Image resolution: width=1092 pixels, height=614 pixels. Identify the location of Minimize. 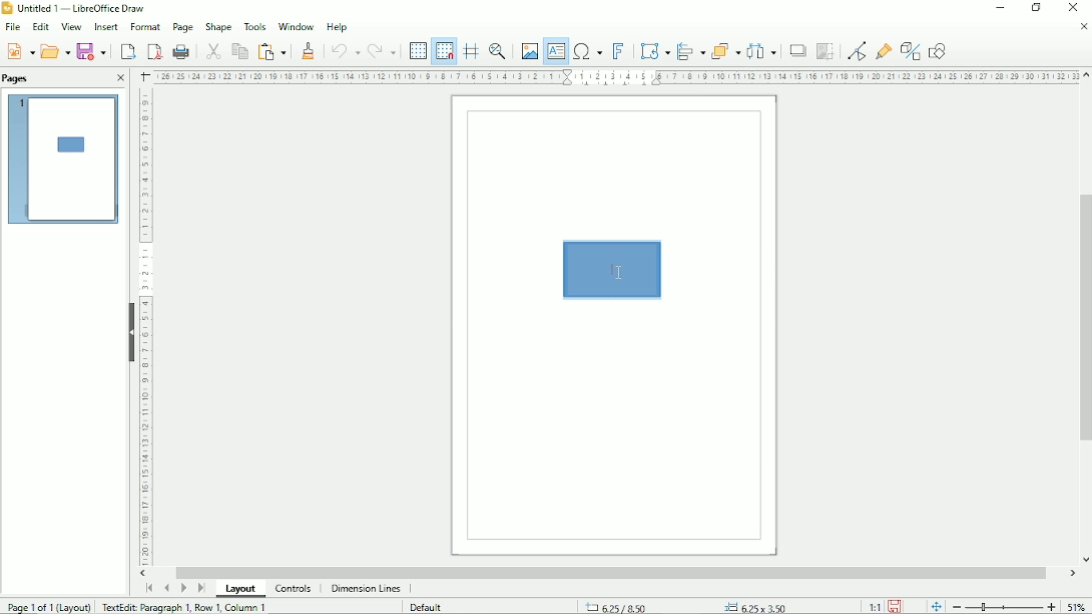
(1001, 8).